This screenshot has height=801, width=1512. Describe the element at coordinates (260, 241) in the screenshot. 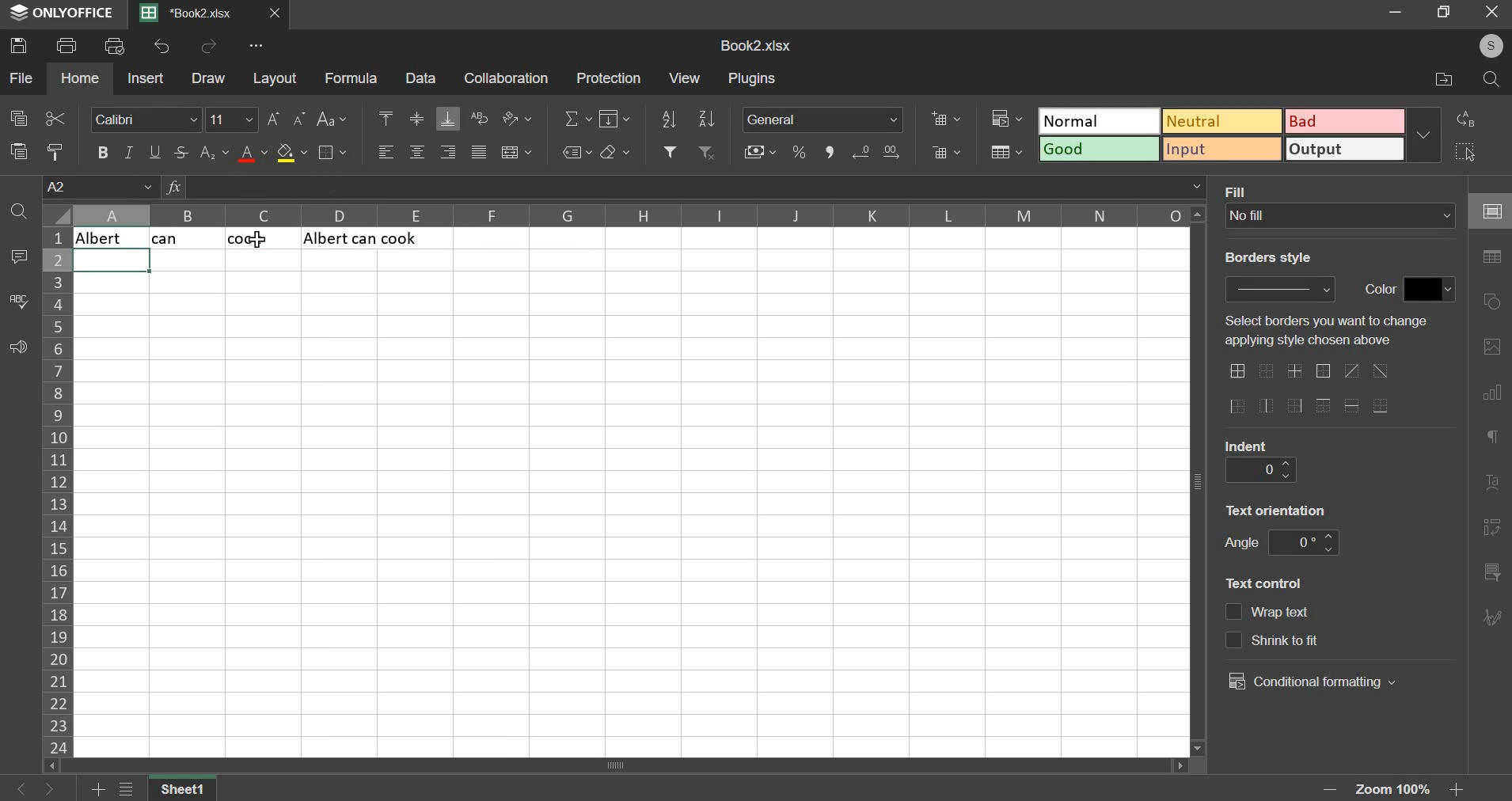

I see `cursor` at that location.